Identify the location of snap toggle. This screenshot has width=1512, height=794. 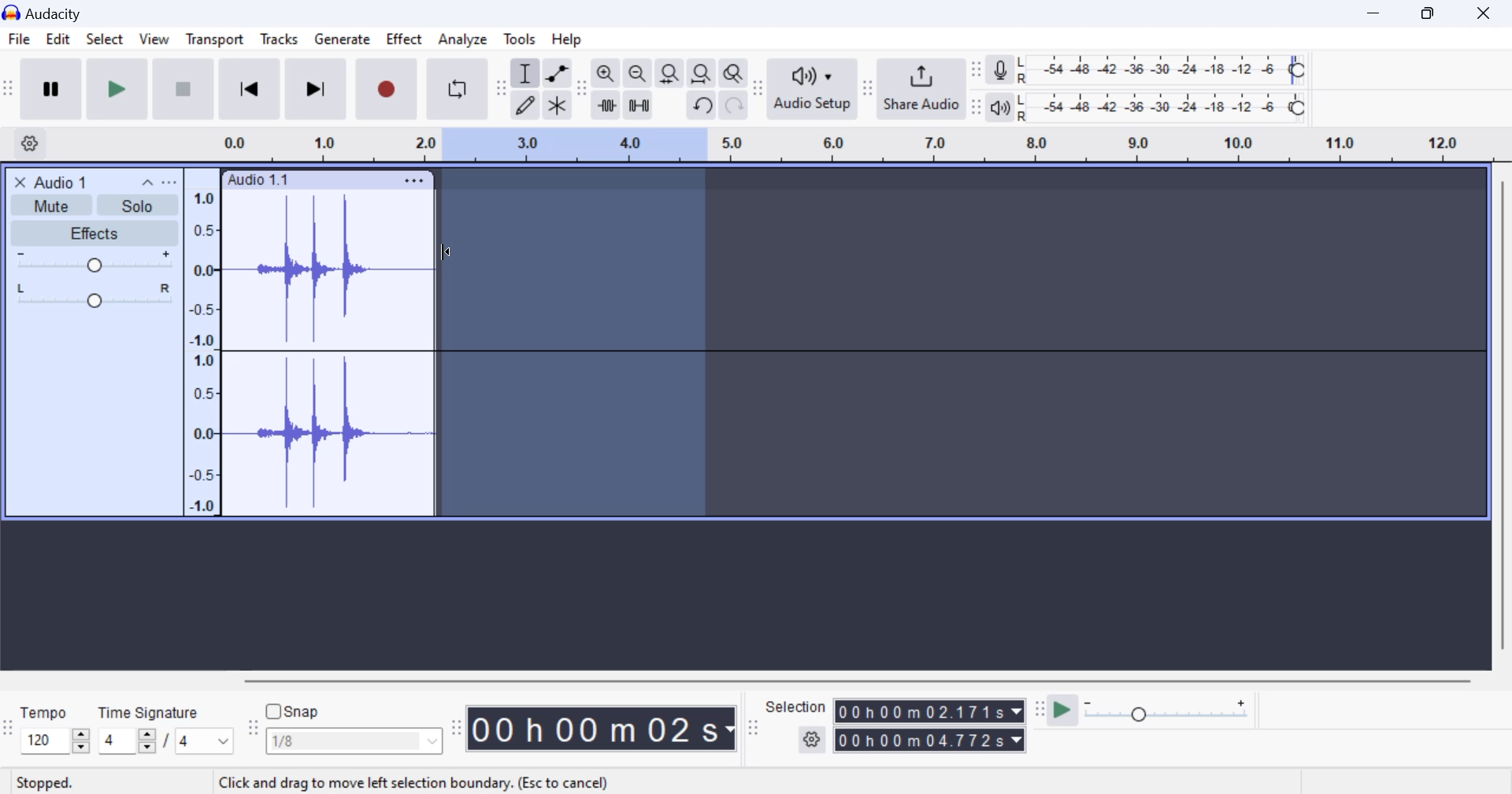
(301, 711).